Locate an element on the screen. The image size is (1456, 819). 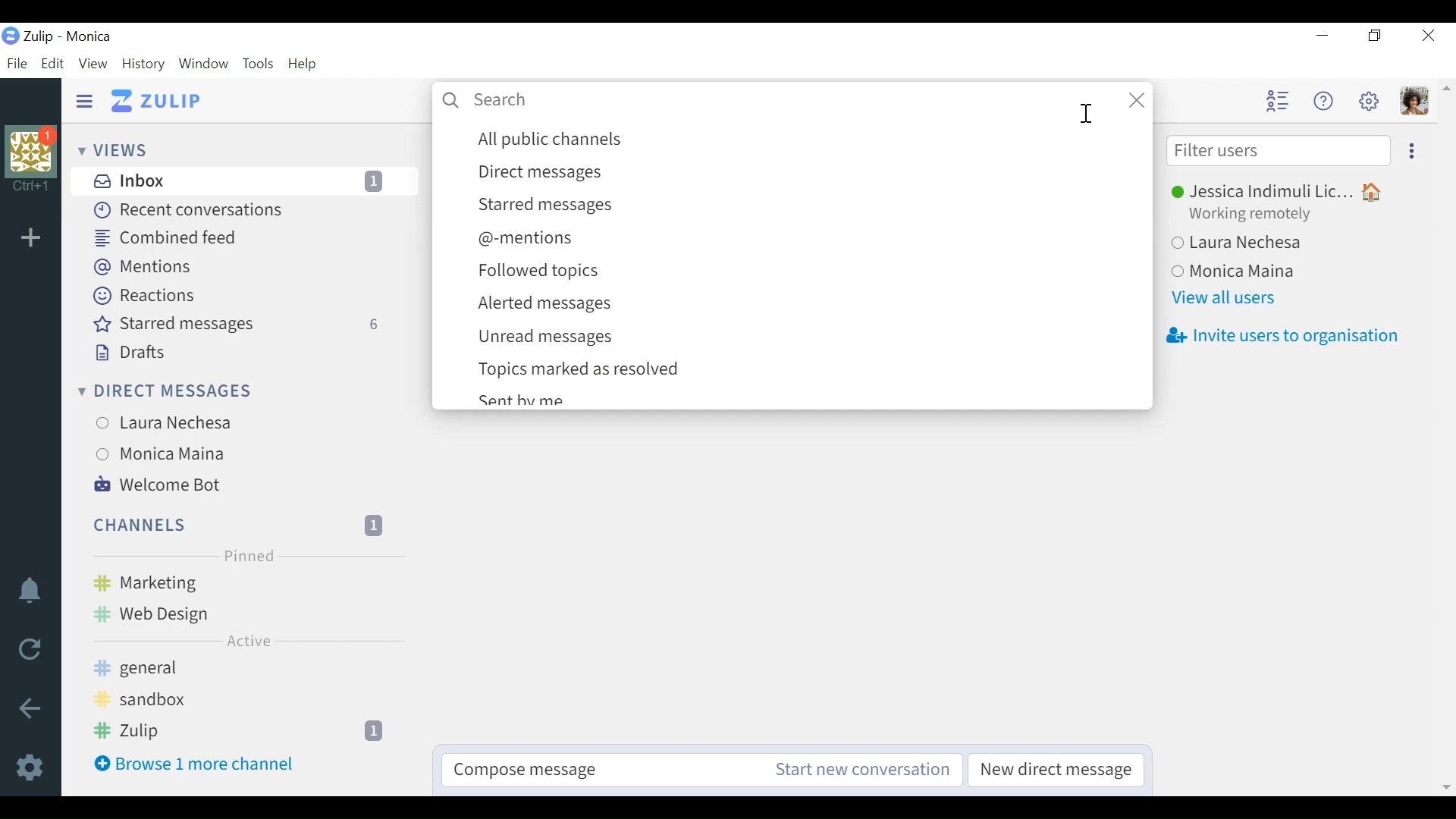
Monica Maina is located at coordinates (202, 456).